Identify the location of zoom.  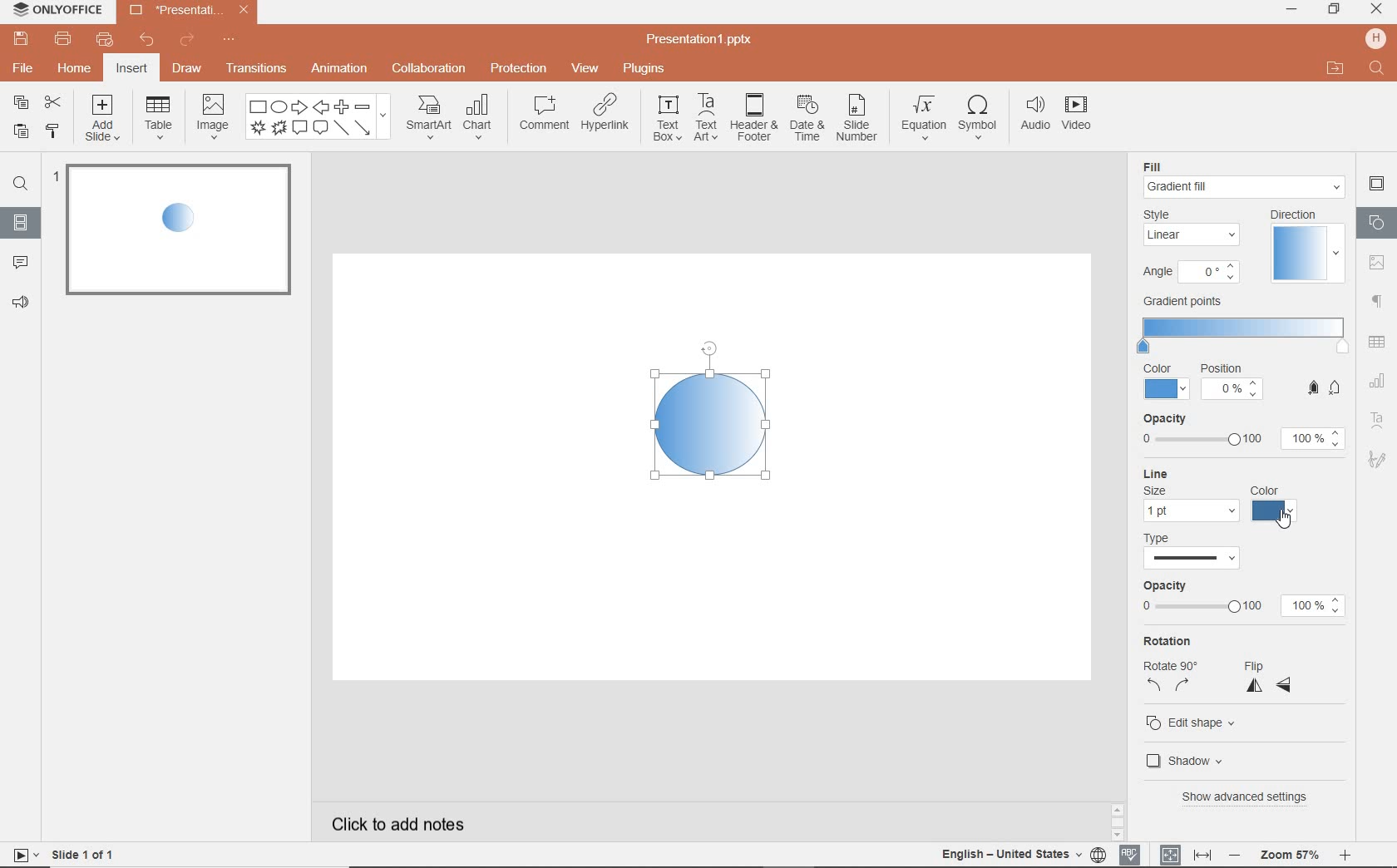
(1290, 856).